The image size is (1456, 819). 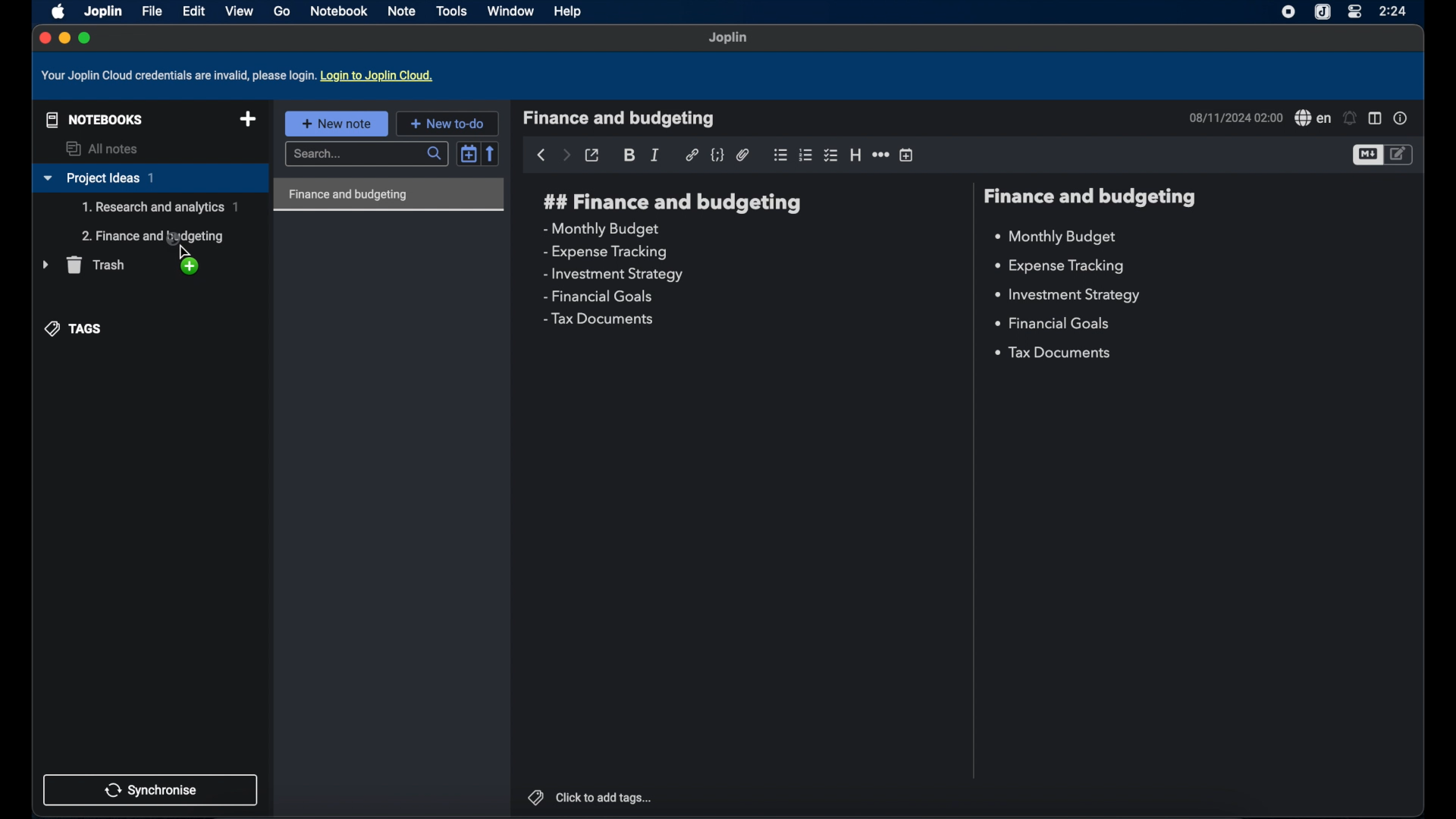 What do you see at coordinates (248, 120) in the screenshot?
I see `new notebook` at bounding box center [248, 120].